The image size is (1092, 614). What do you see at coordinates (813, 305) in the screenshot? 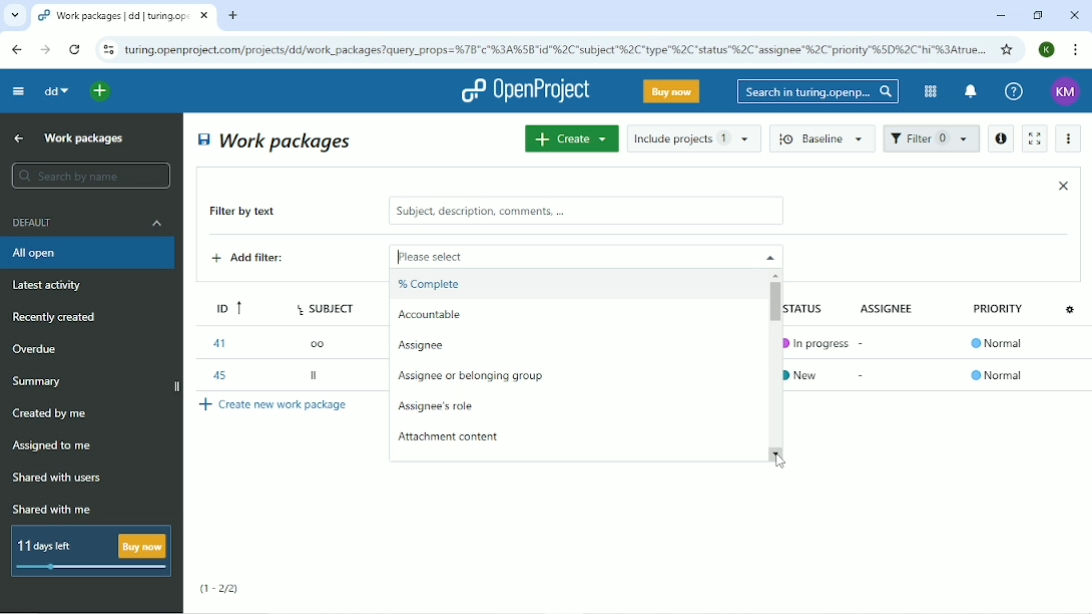
I see `Status` at bounding box center [813, 305].